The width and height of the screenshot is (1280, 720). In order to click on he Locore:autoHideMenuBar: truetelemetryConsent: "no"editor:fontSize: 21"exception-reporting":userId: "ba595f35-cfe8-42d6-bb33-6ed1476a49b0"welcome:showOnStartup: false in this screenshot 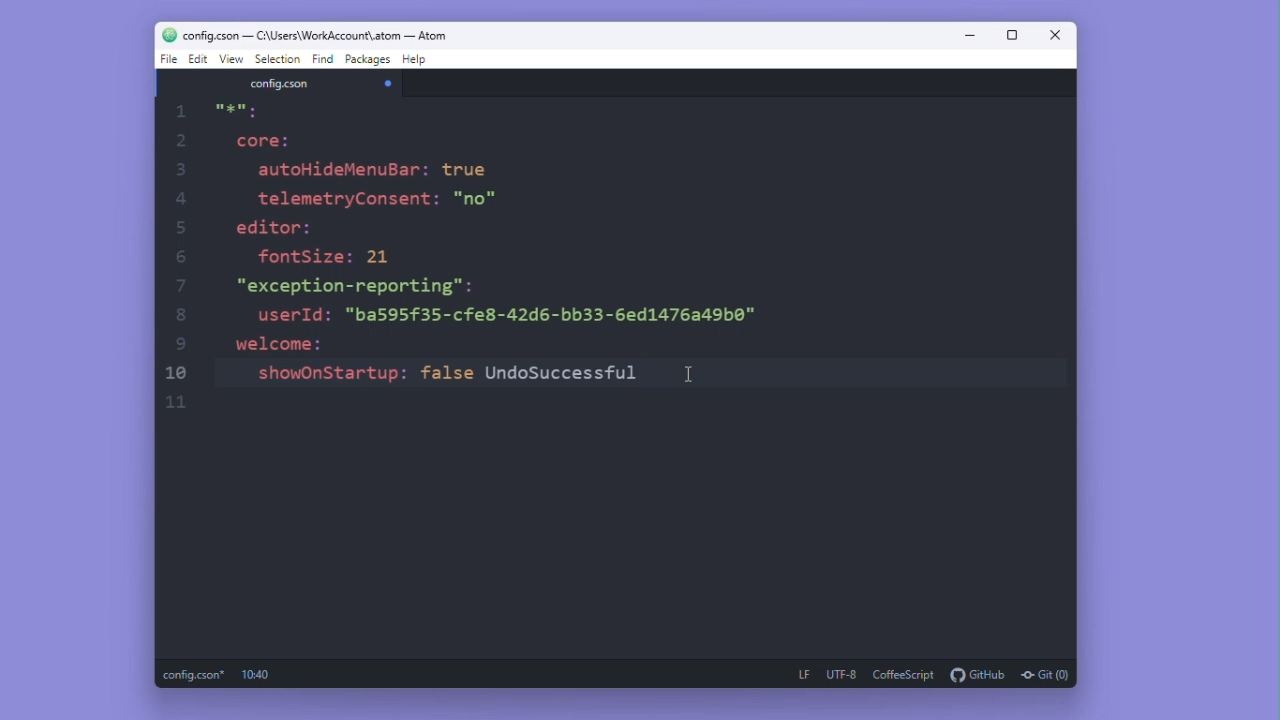, I will do `click(464, 259)`.